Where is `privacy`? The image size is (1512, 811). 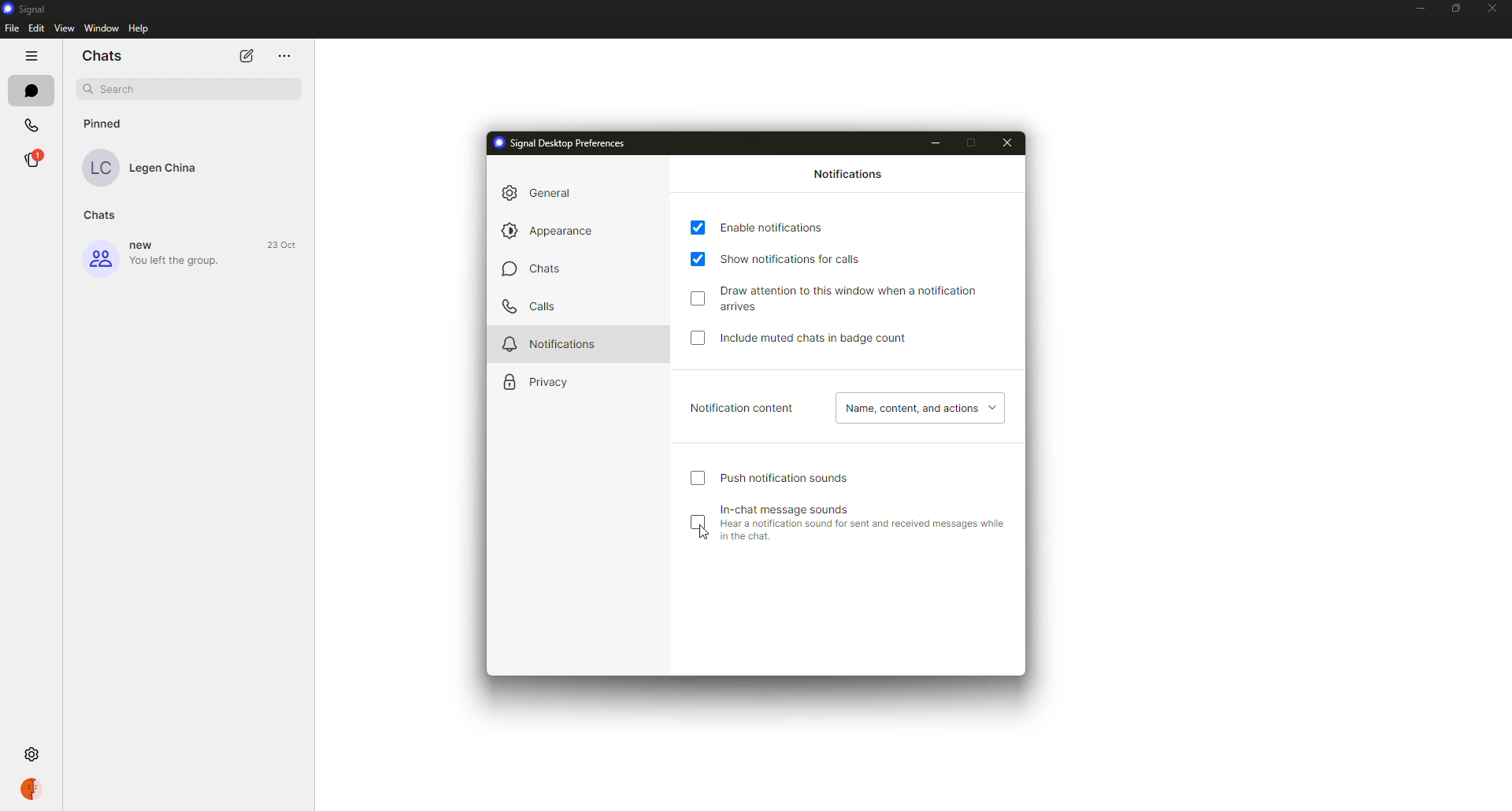 privacy is located at coordinates (546, 381).